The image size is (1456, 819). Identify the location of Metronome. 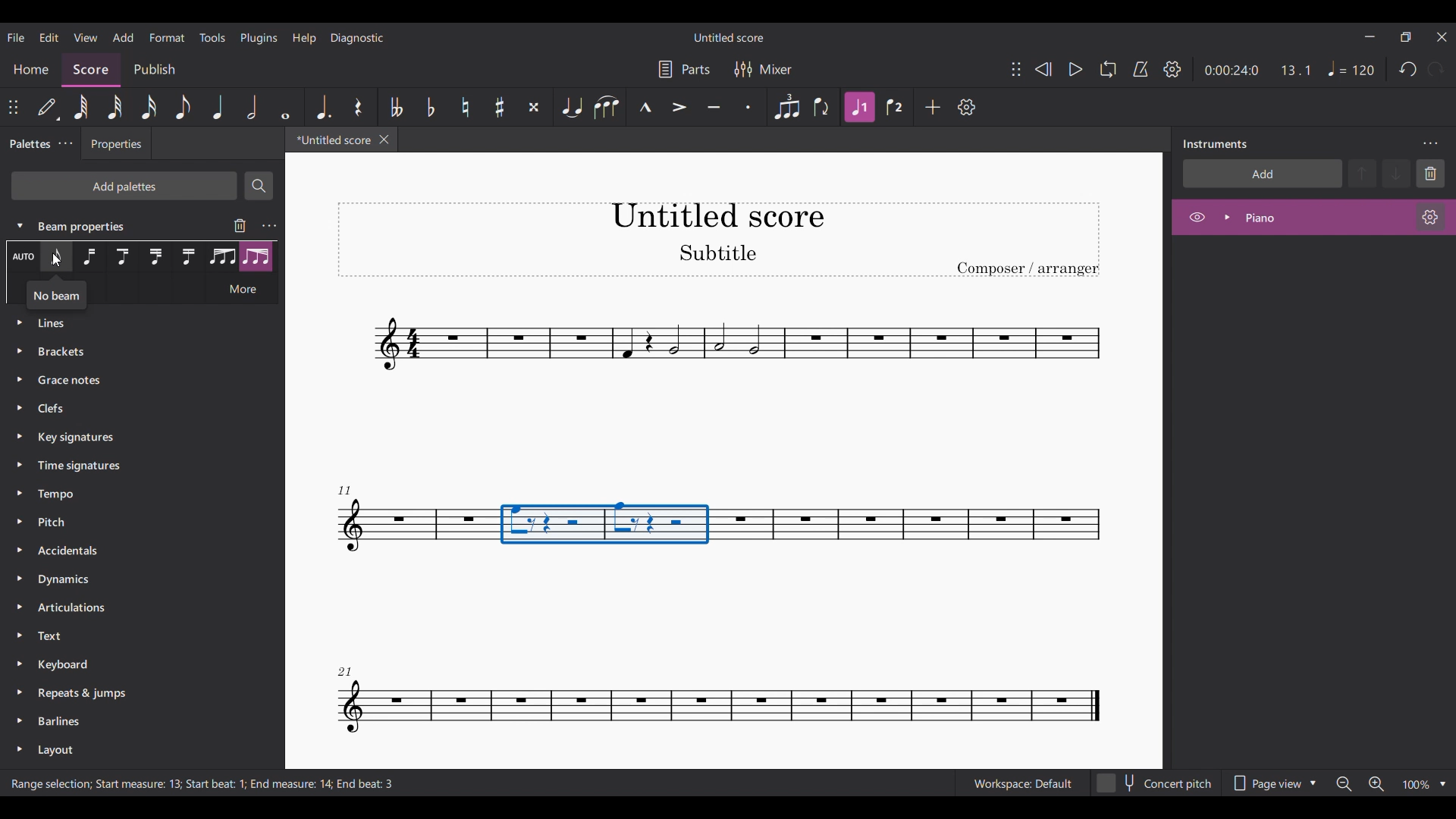
(1141, 69).